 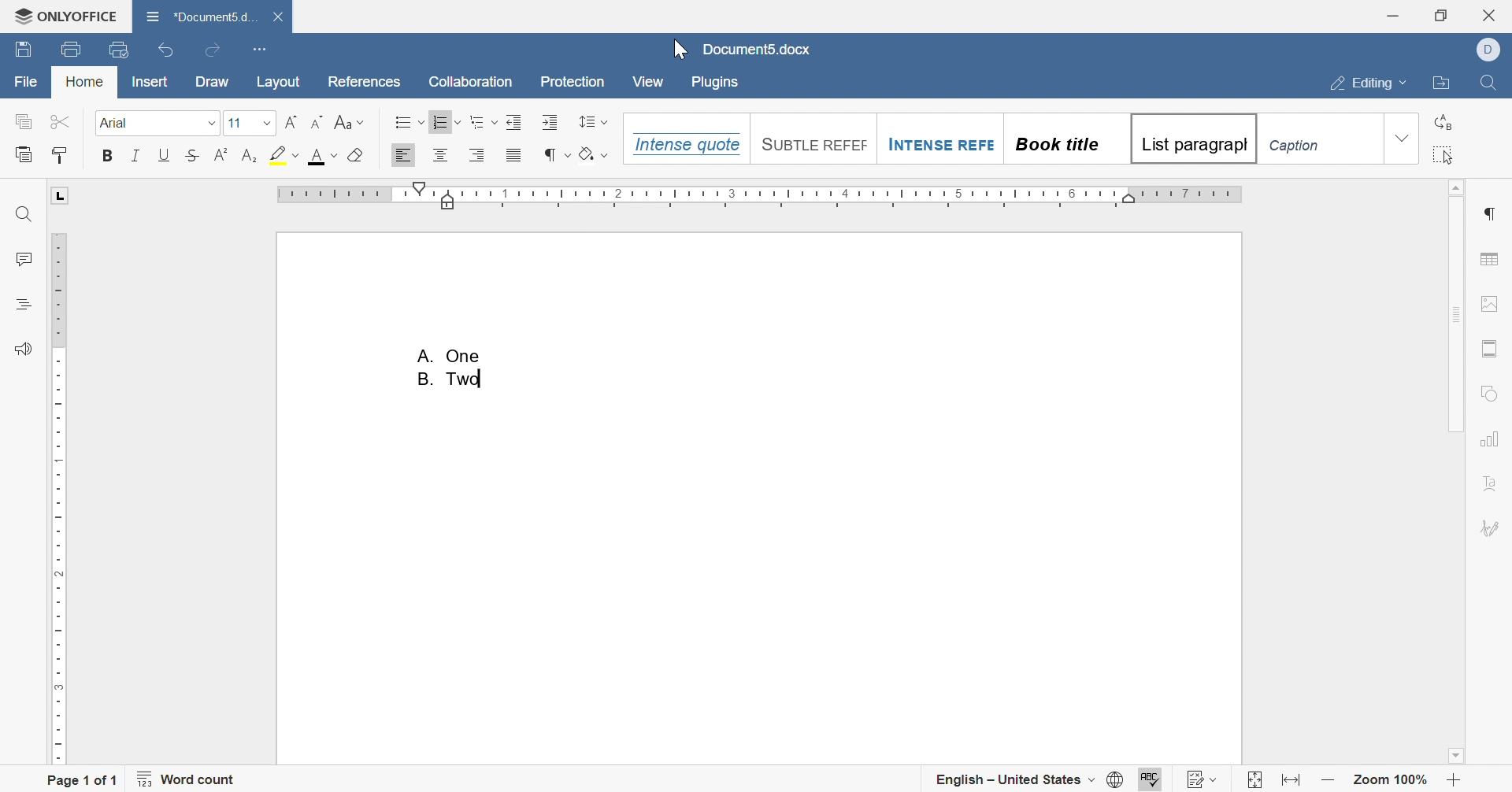 What do you see at coordinates (222, 152) in the screenshot?
I see `superscript` at bounding box center [222, 152].